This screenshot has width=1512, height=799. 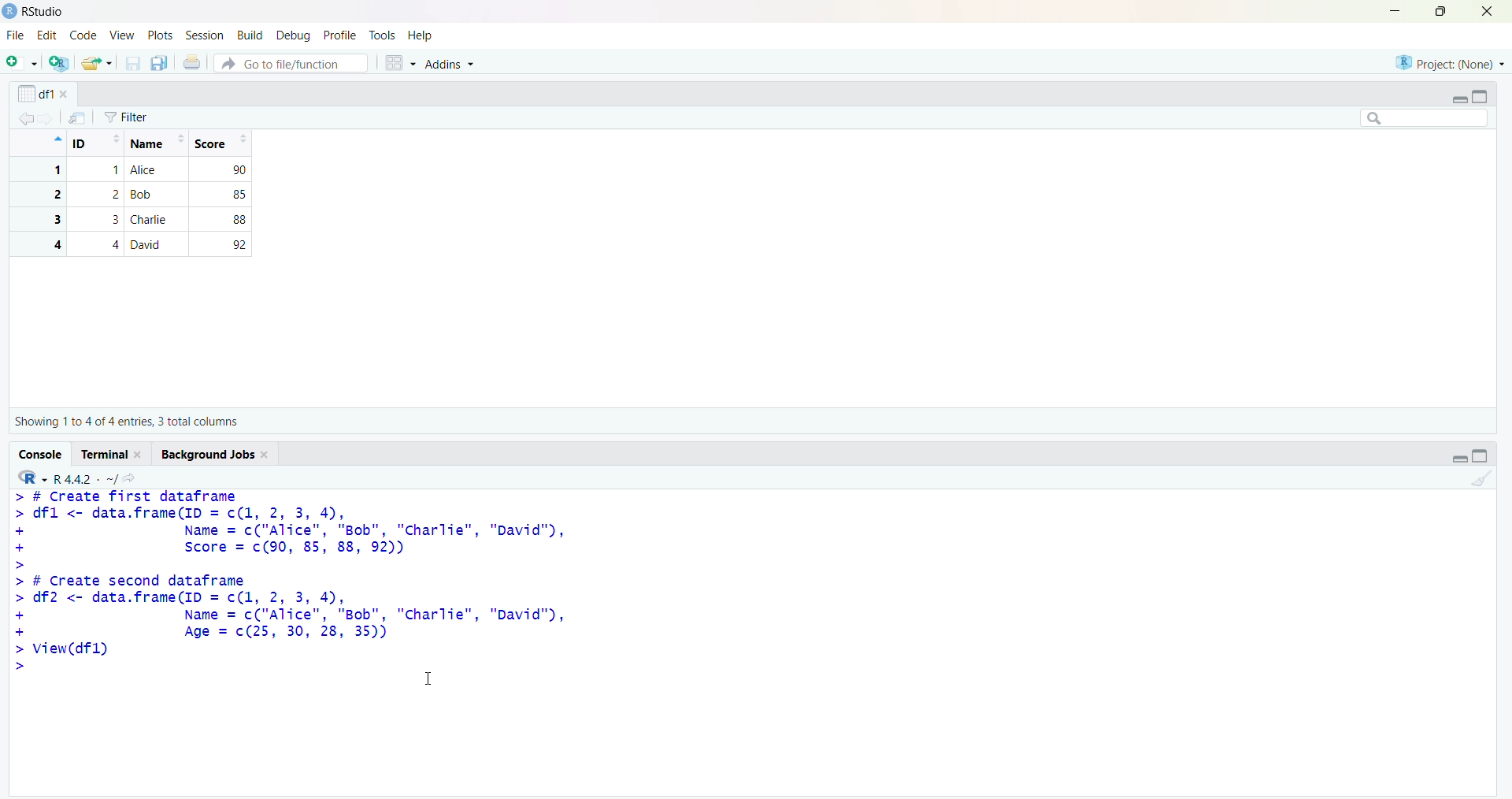 What do you see at coordinates (291, 63) in the screenshot?
I see `Go to file/function` at bounding box center [291, 63].